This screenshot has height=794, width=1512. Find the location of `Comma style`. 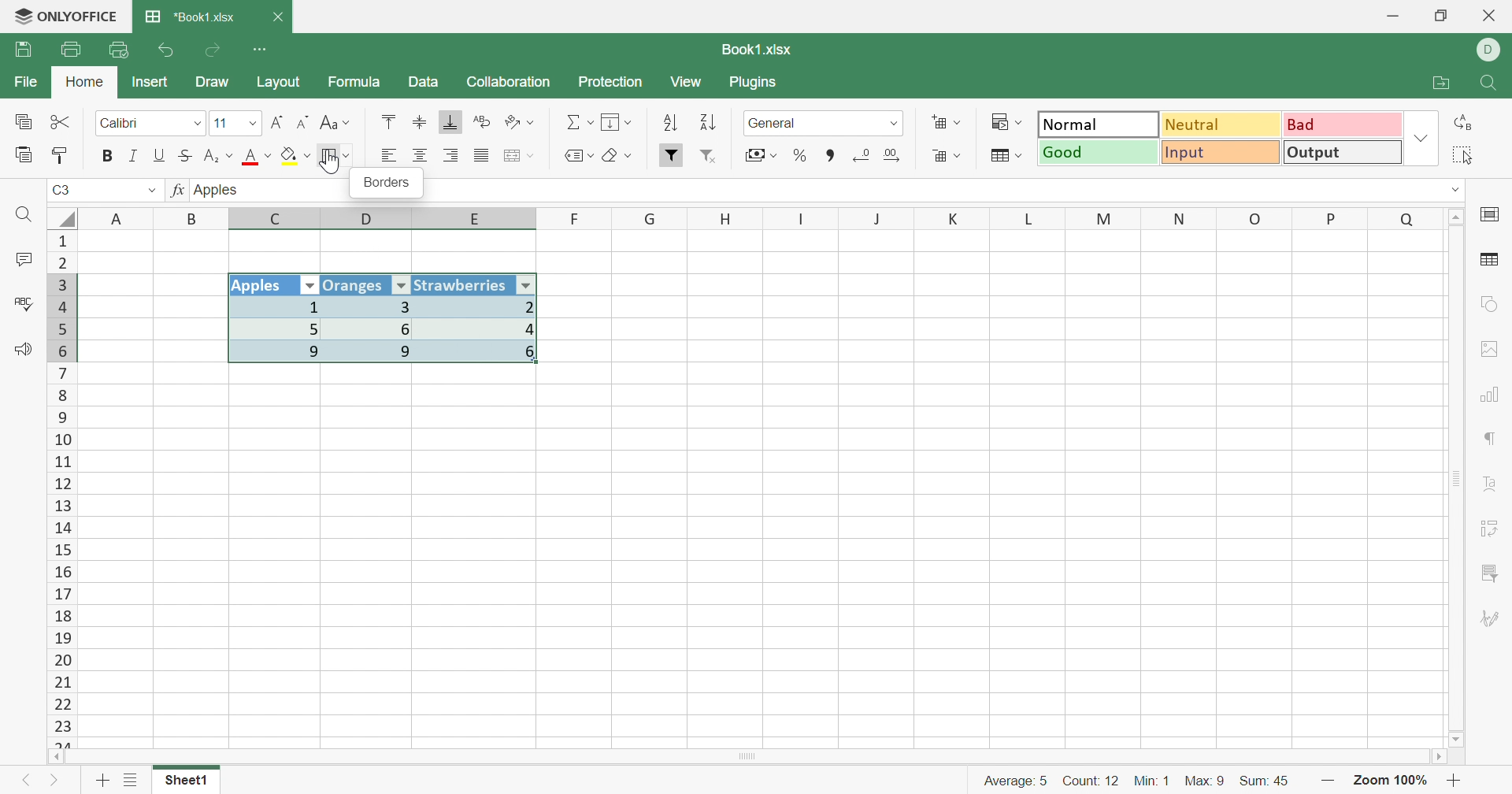

Comma style is located at coordinates (831, 154).